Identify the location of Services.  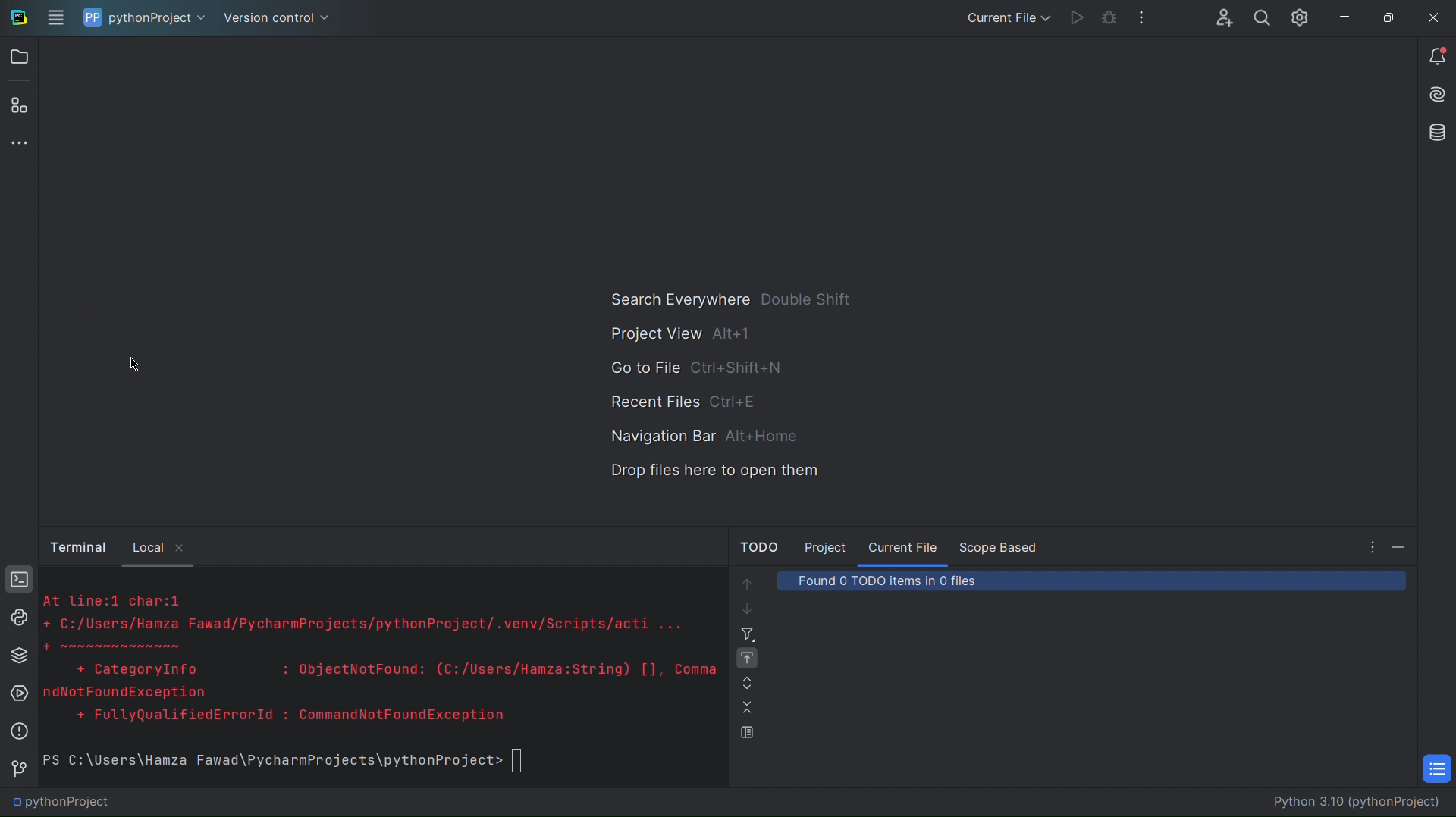
(17, 693).